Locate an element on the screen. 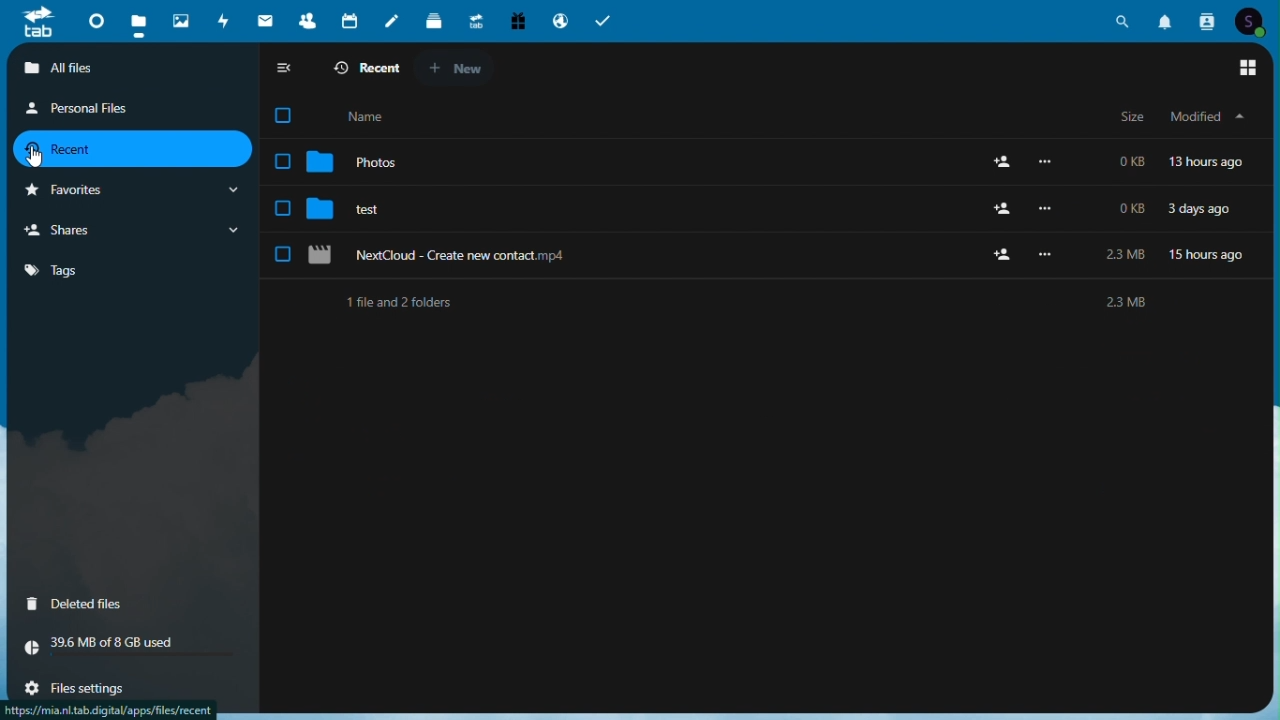 The width and height of the screenshot is (1280, 720). personal files is located at coordinates (111, 110).